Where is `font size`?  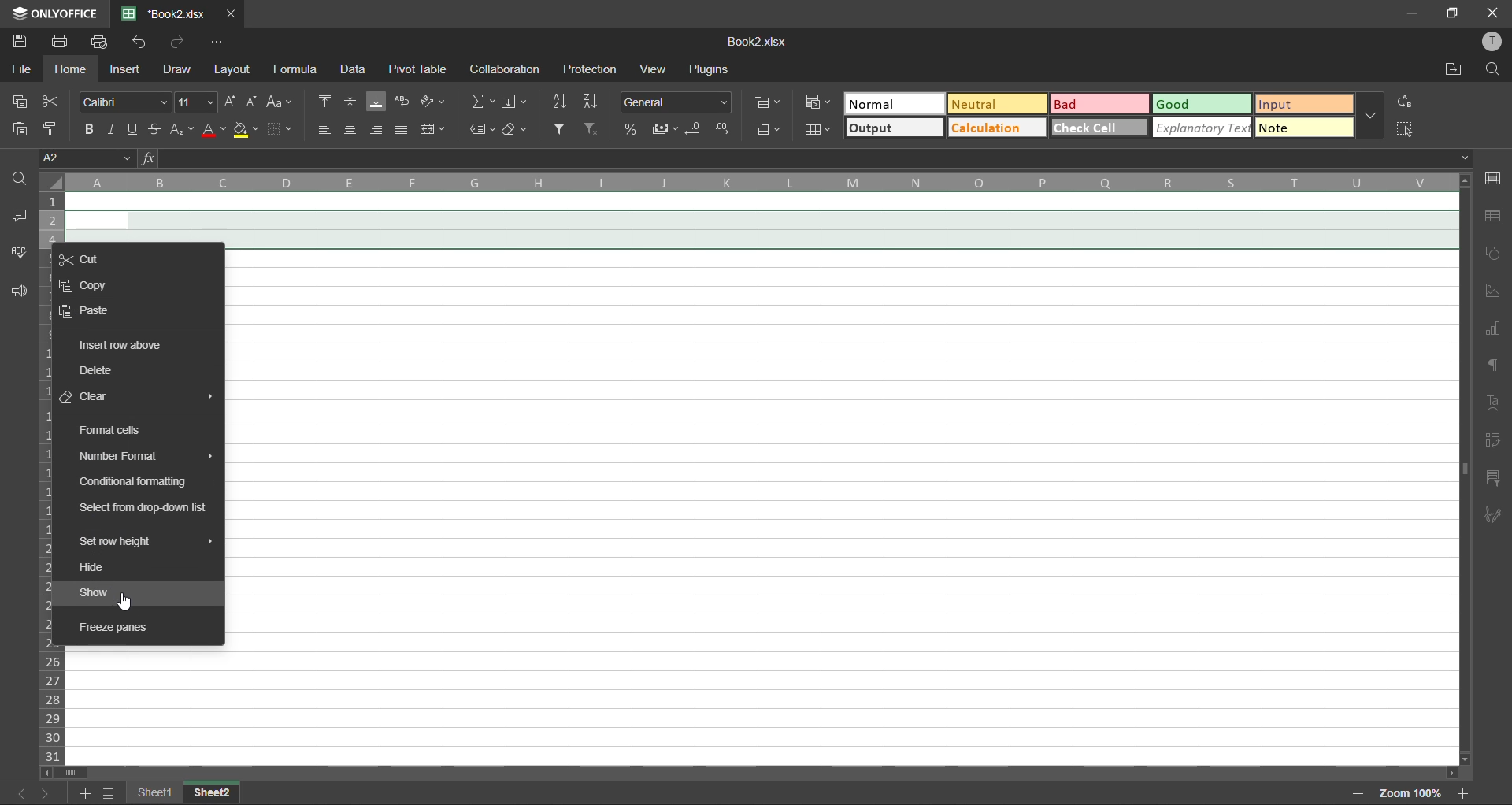 font size is located at coordinates (196, 103).